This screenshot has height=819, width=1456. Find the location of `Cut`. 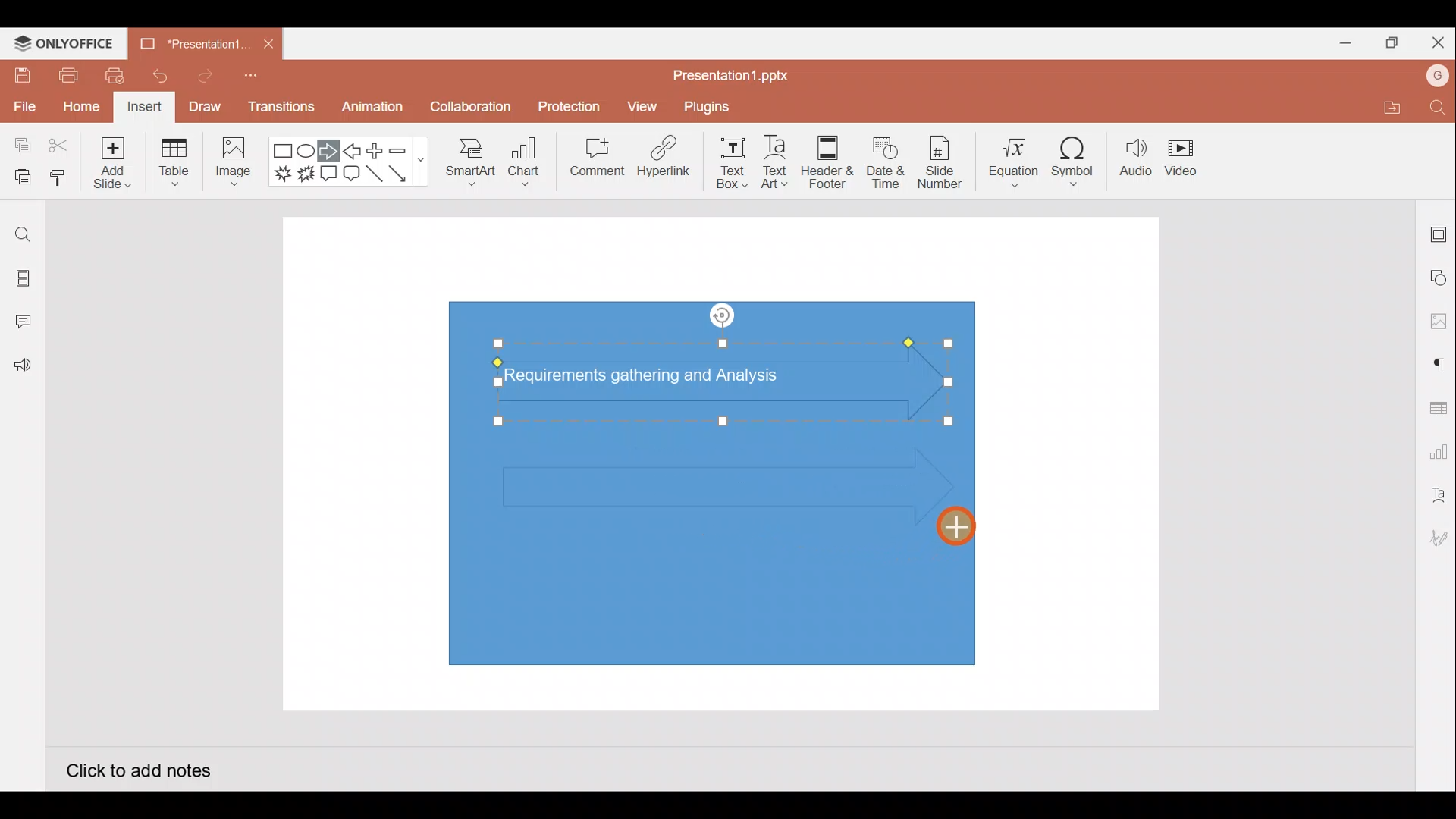

Cut is located at coordinates (59, 146).